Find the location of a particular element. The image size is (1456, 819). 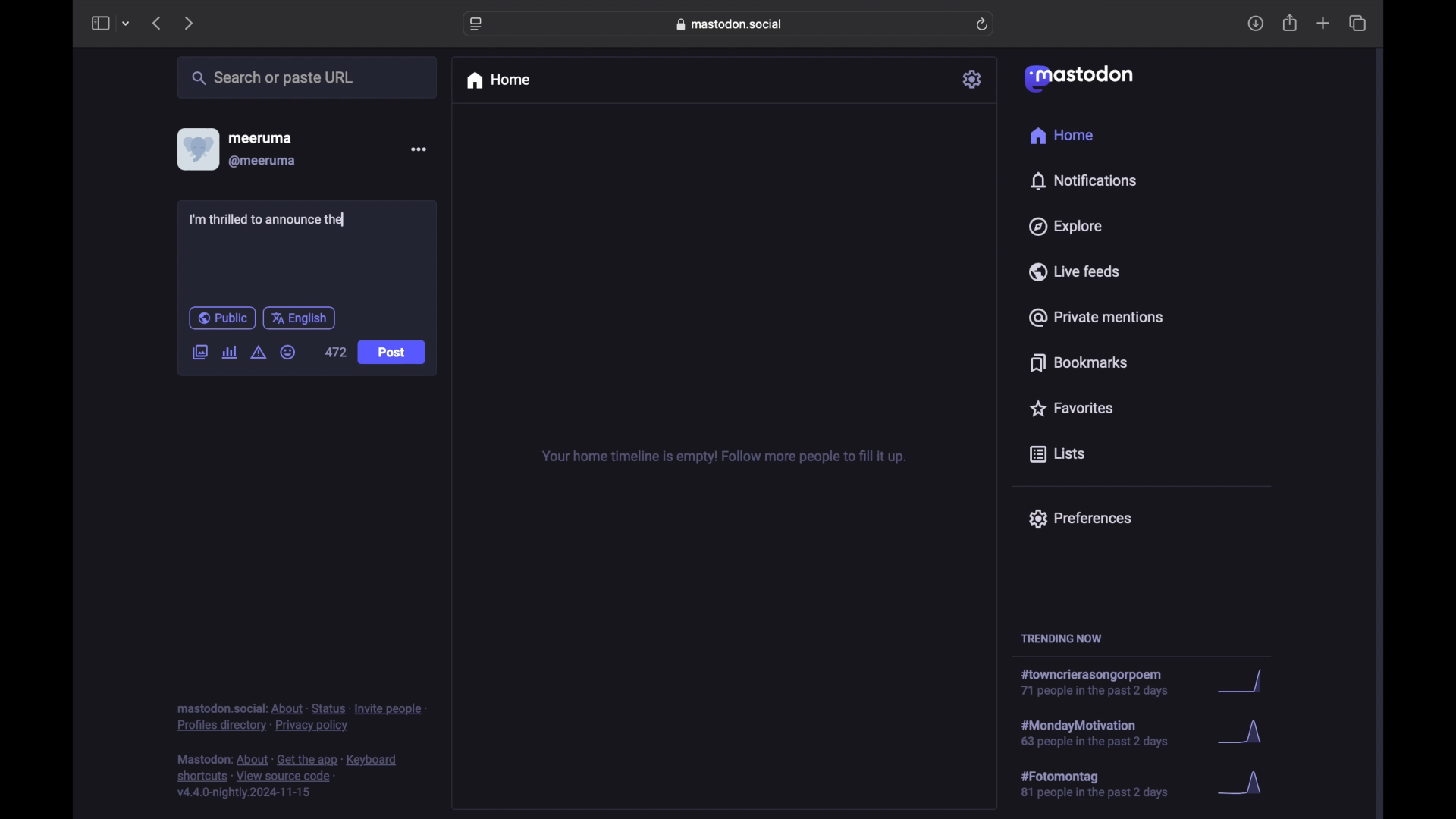

live feeds is located at coordinates (1073, 271).